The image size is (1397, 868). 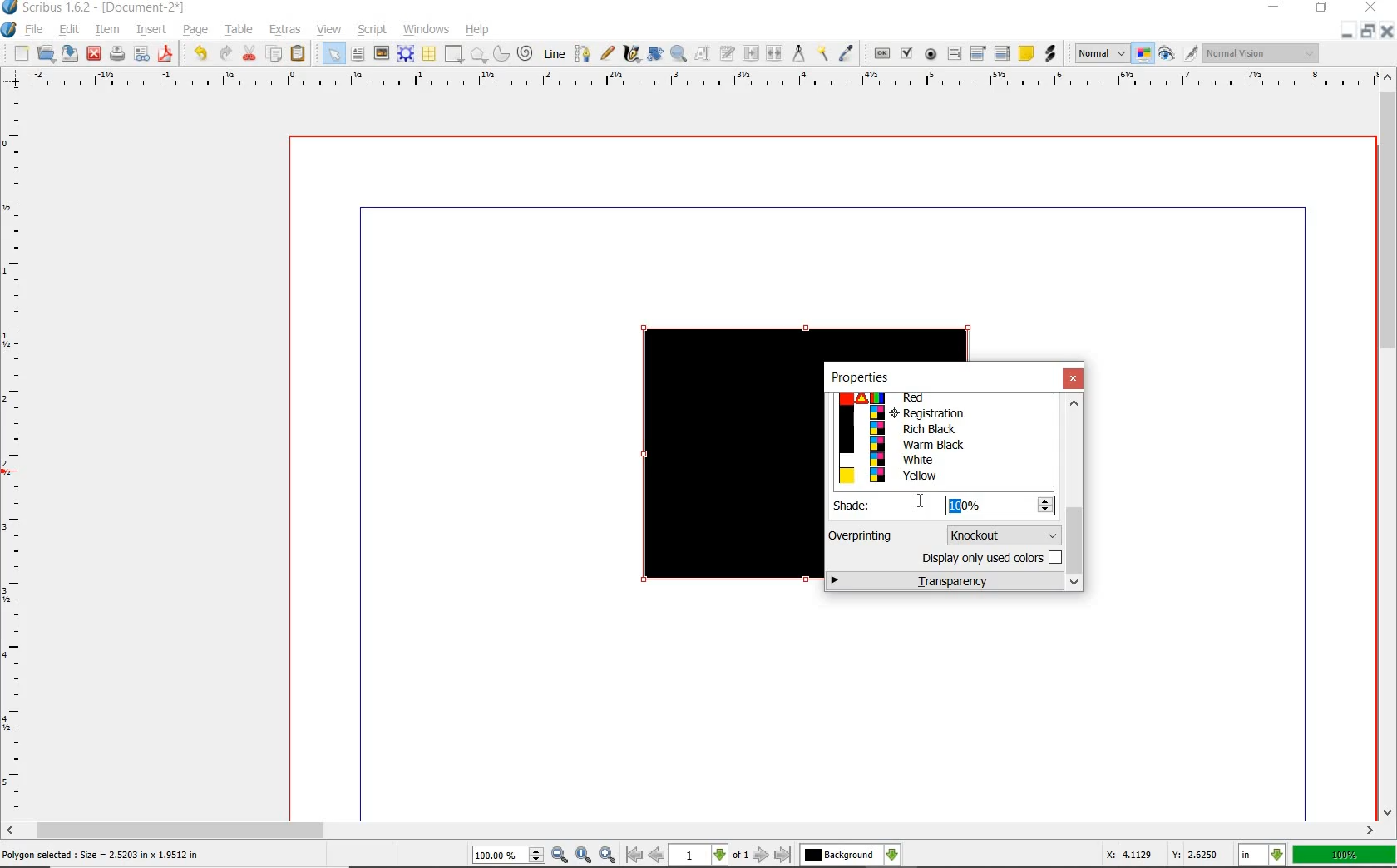 What do you see at coordinates (880, 55) in the screenshot?
I see `pdf push button` at bounding box center [880, 55].